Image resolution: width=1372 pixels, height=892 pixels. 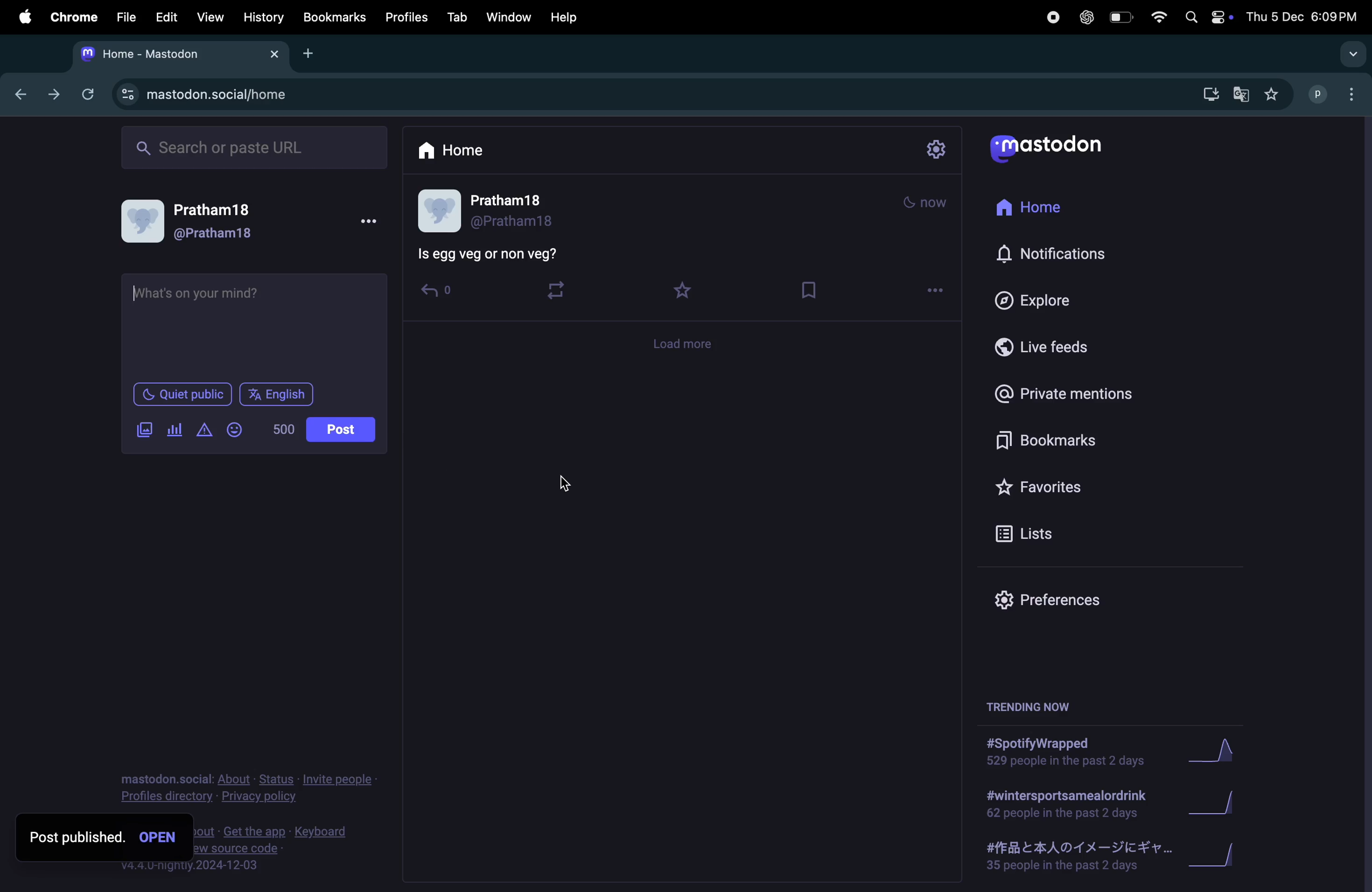 I want to click on load more, so click(x=683, y=196).